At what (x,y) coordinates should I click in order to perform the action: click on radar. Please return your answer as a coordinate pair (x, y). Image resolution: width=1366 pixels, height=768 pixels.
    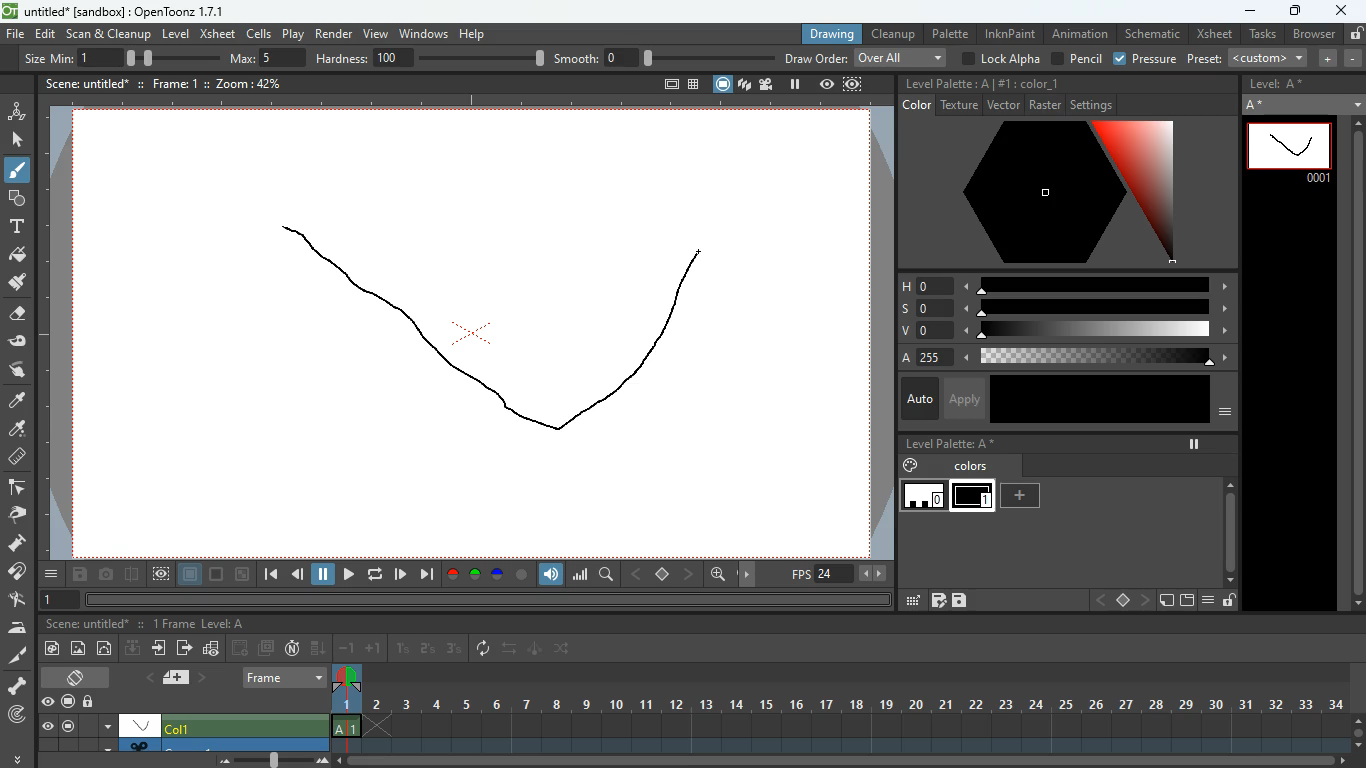
    Looking at the image, I should click on (19, 716).